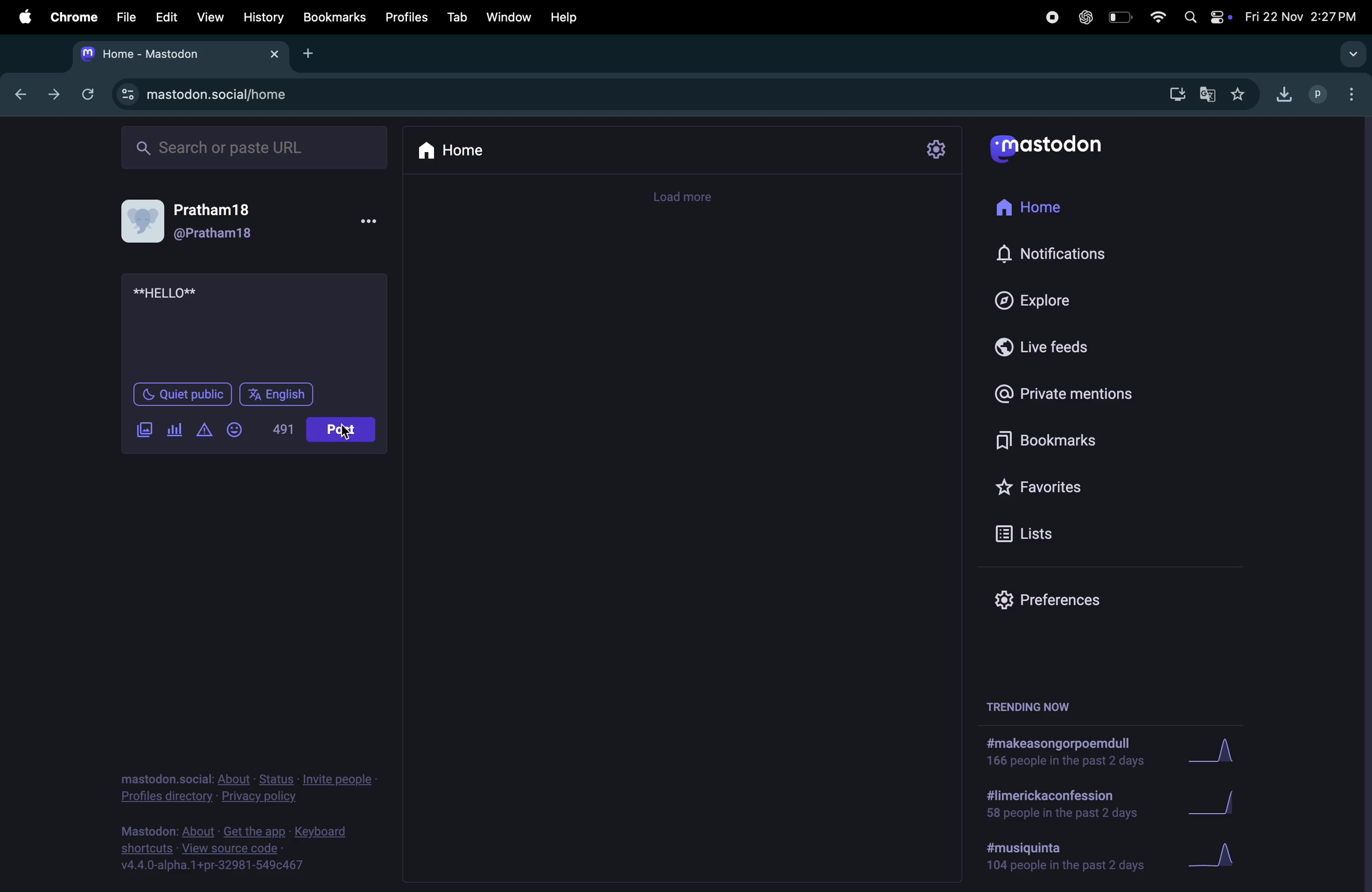 This screenshot has height=892, width=1372. I want to click on back, so click(18, 94).